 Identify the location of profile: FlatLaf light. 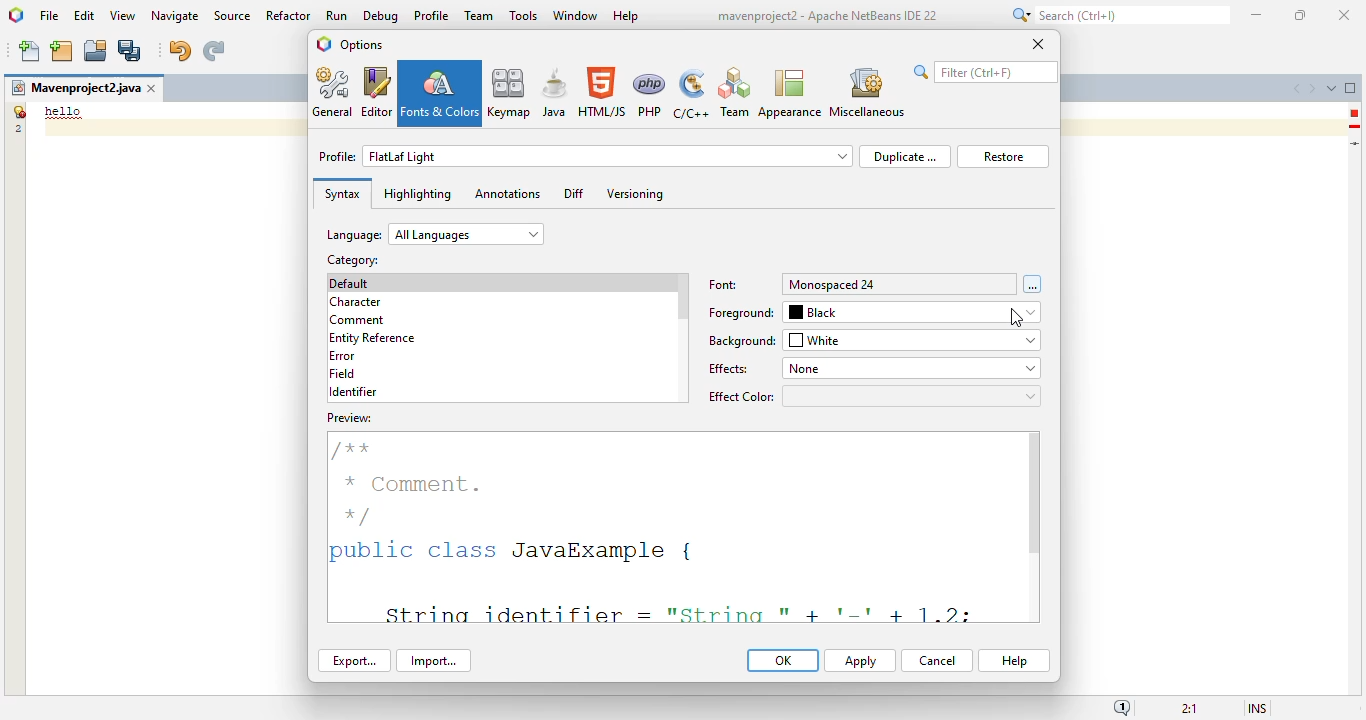
(585, 156).